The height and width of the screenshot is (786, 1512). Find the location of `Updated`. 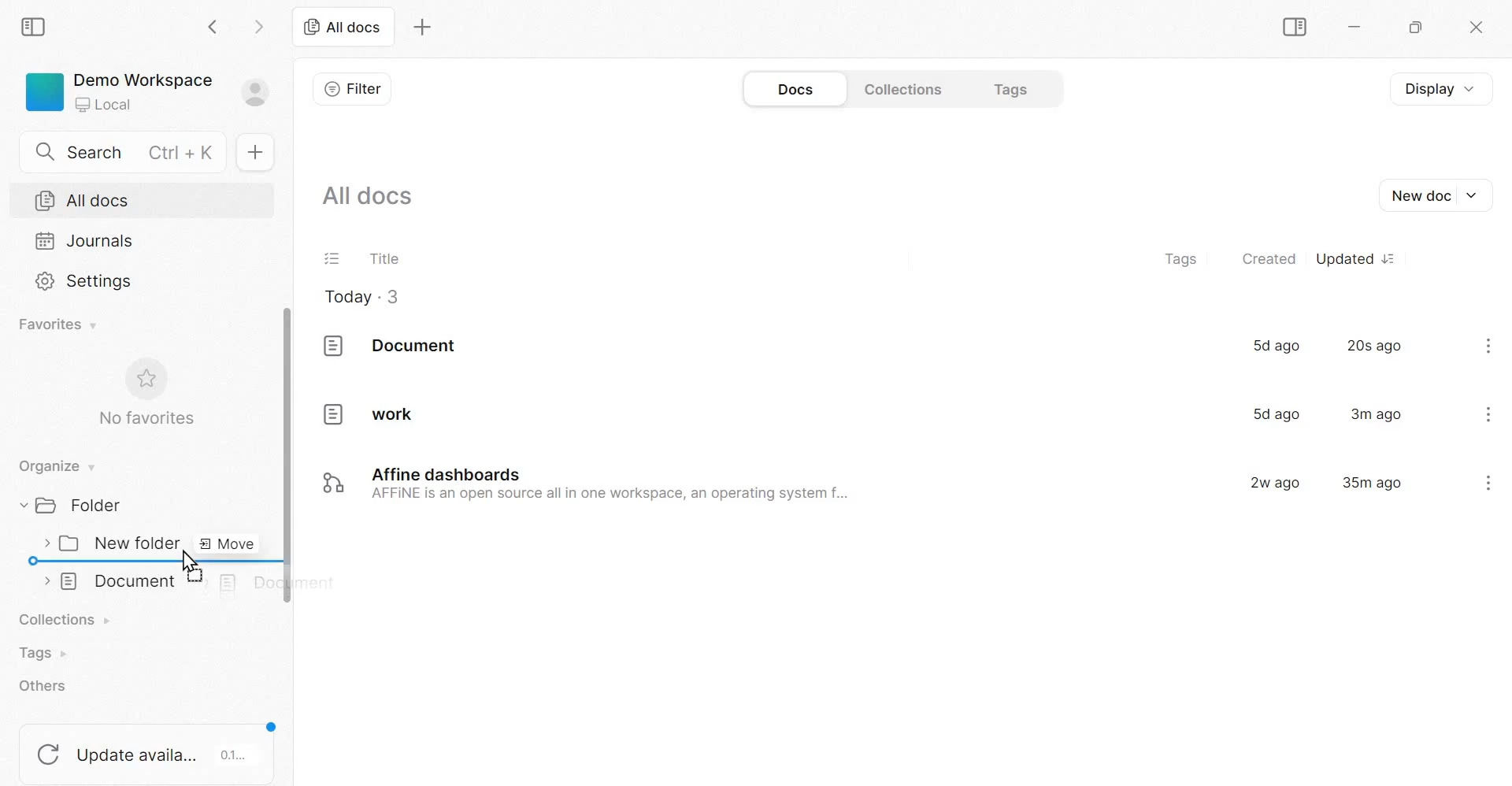

Updated is located at coordinates (1354, 255).